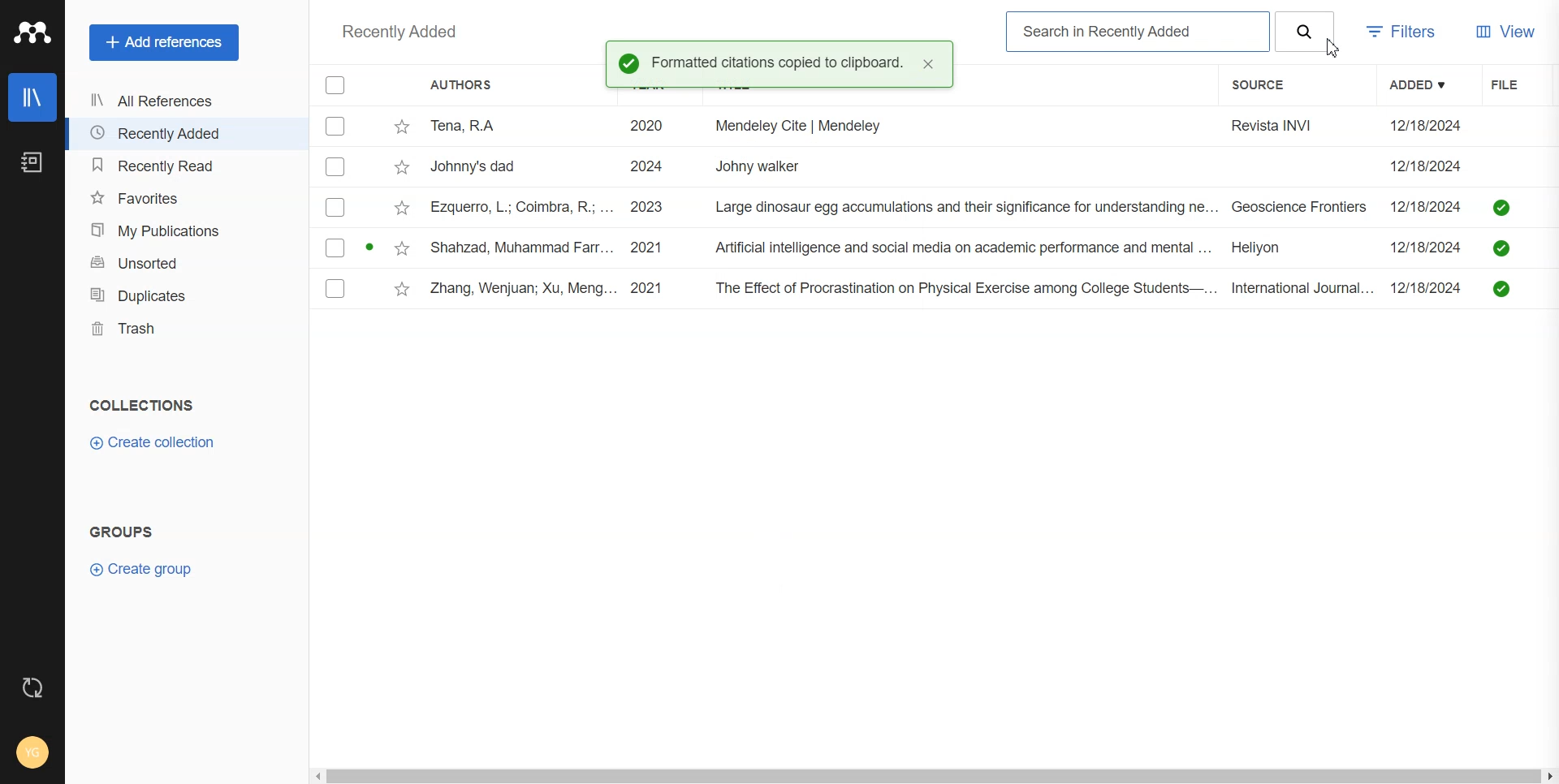  Describe the element at coordinates (335, 209) in the screenshot. I see `Checkbox` at that location.